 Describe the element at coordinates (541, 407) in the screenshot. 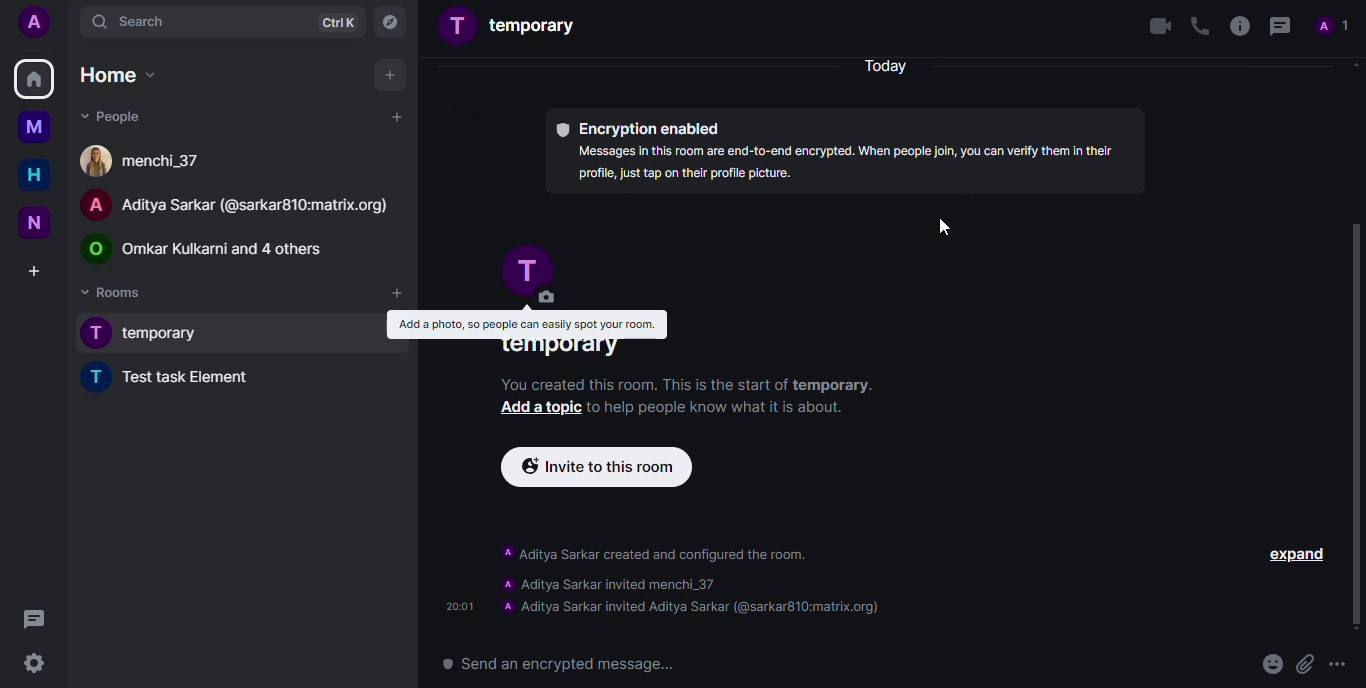

I see `Add a topic` at that location.